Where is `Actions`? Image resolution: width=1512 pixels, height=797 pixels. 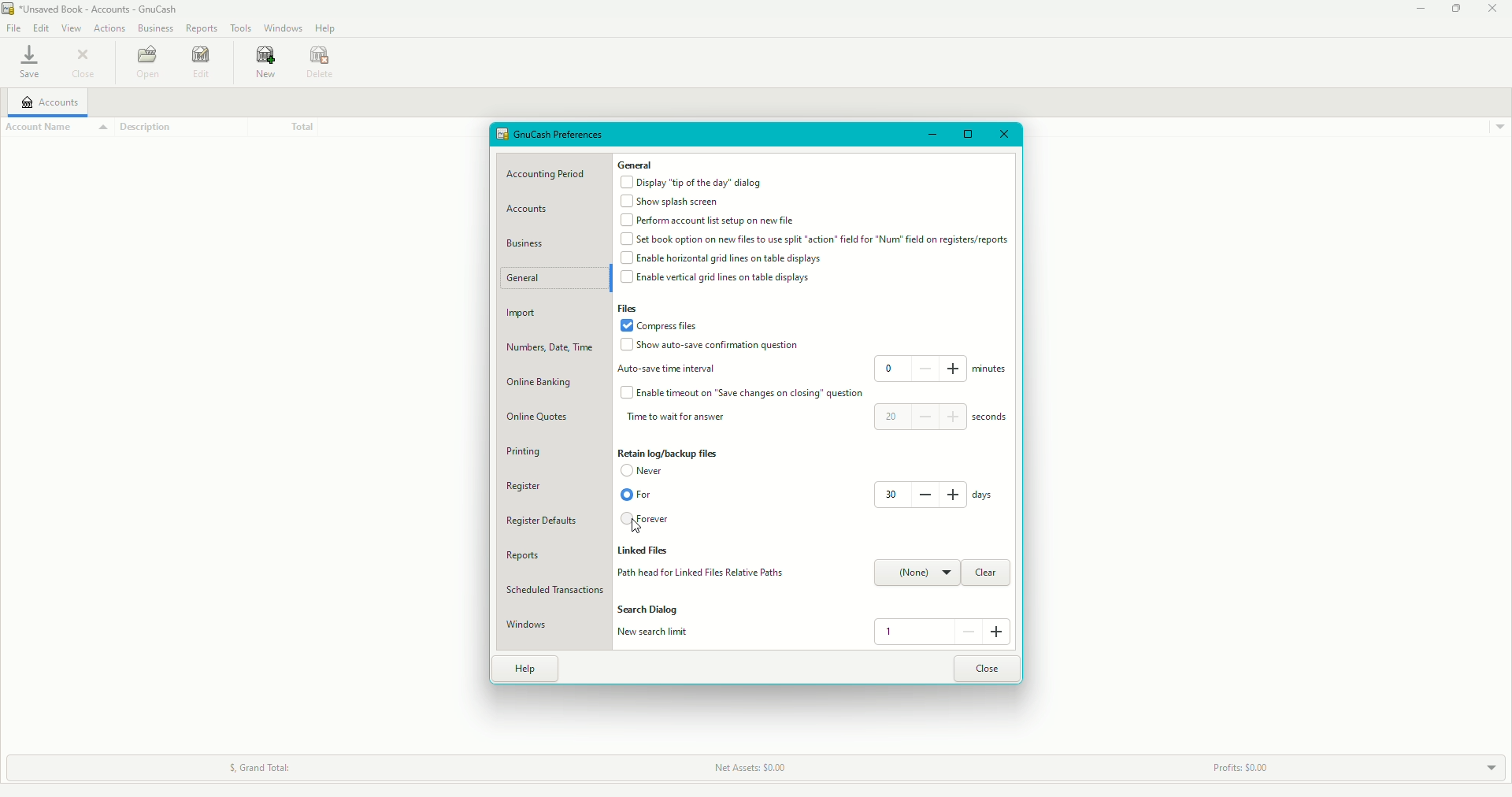 Actions is located at coordinates (110, 29).